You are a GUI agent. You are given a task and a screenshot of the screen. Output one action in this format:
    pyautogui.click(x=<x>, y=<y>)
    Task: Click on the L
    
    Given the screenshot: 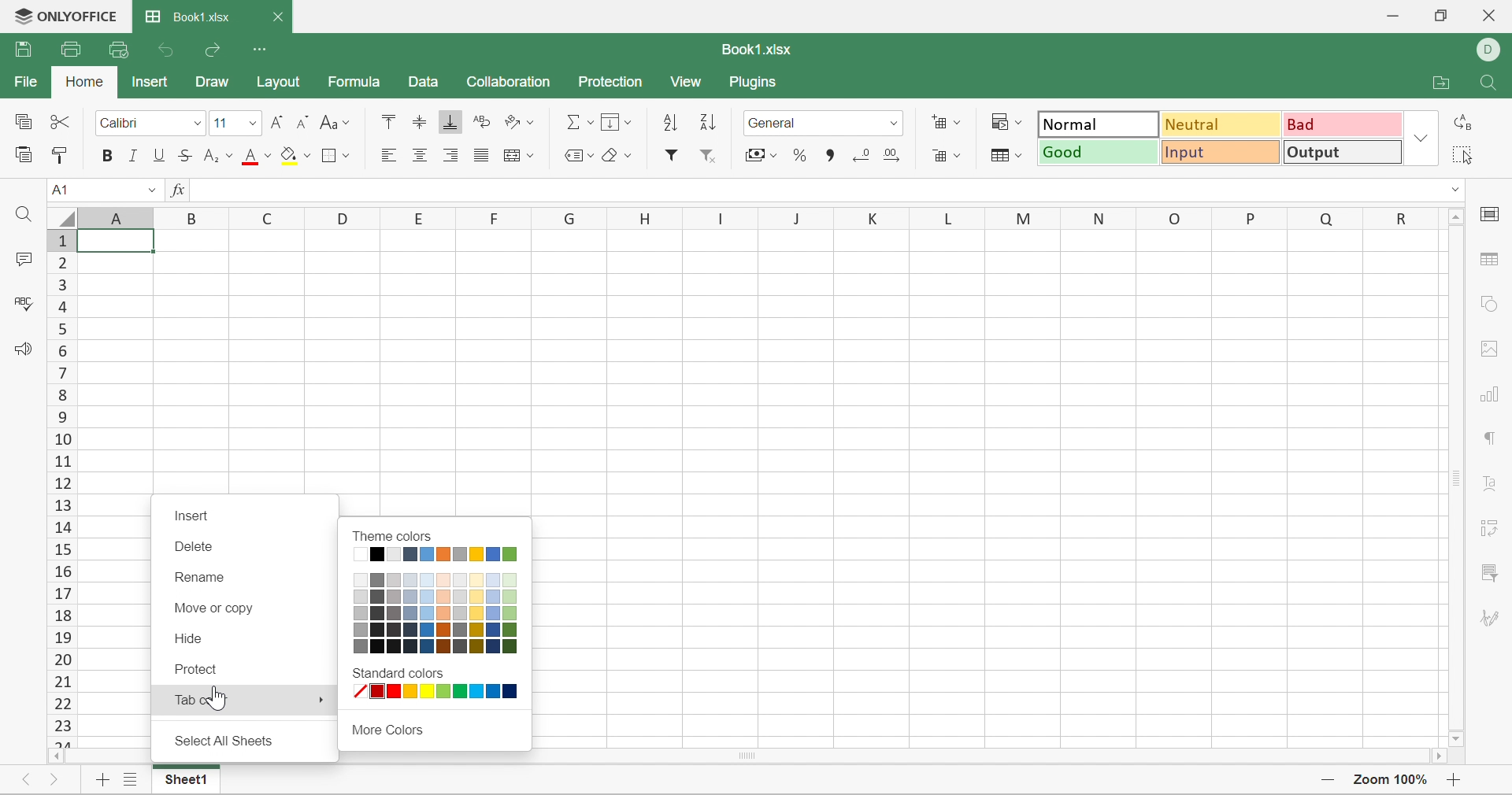 What is the action you would take?
    pyautogui.click(x=936, y=217)
    